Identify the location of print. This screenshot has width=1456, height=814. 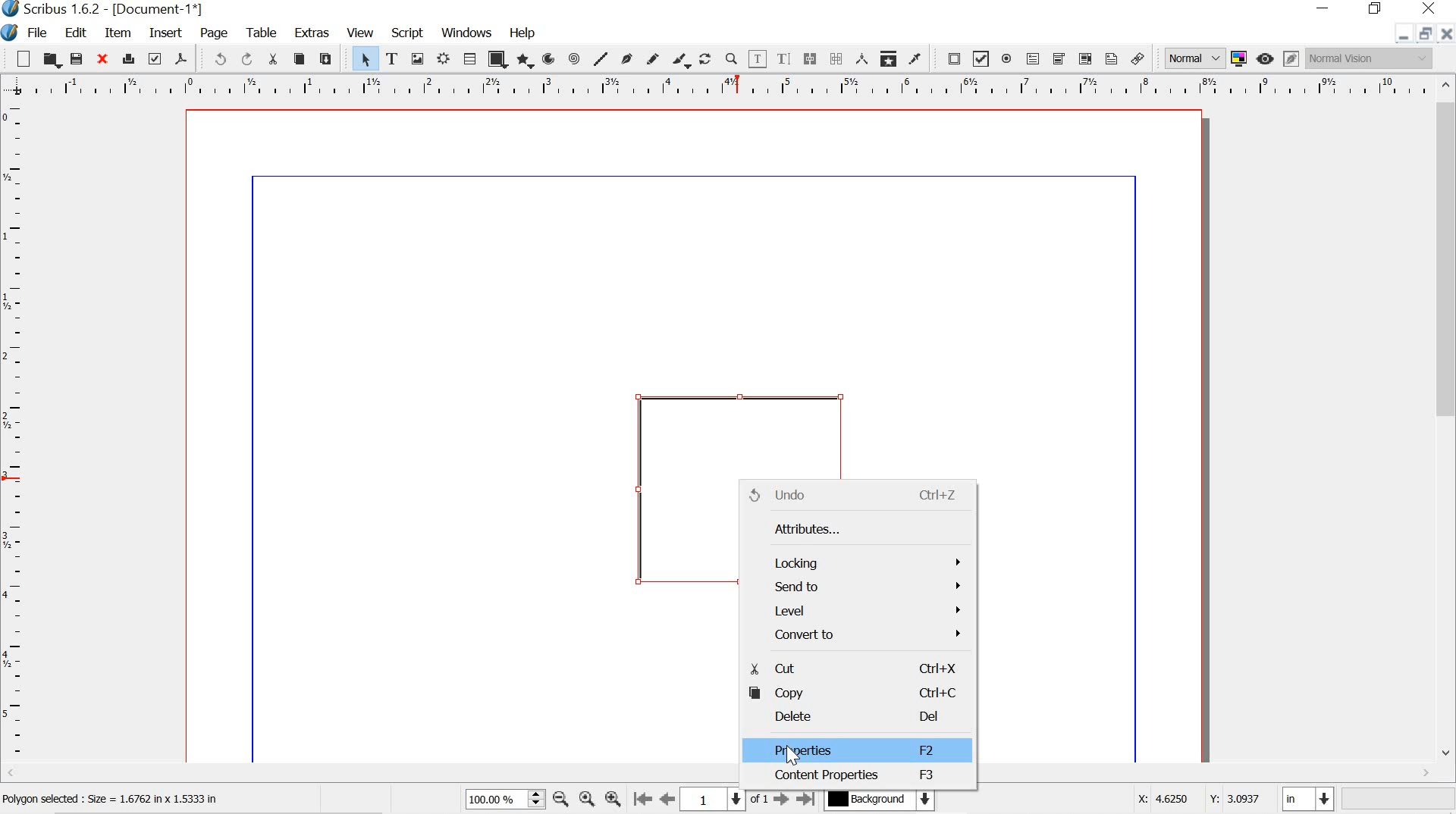
(128, 57).